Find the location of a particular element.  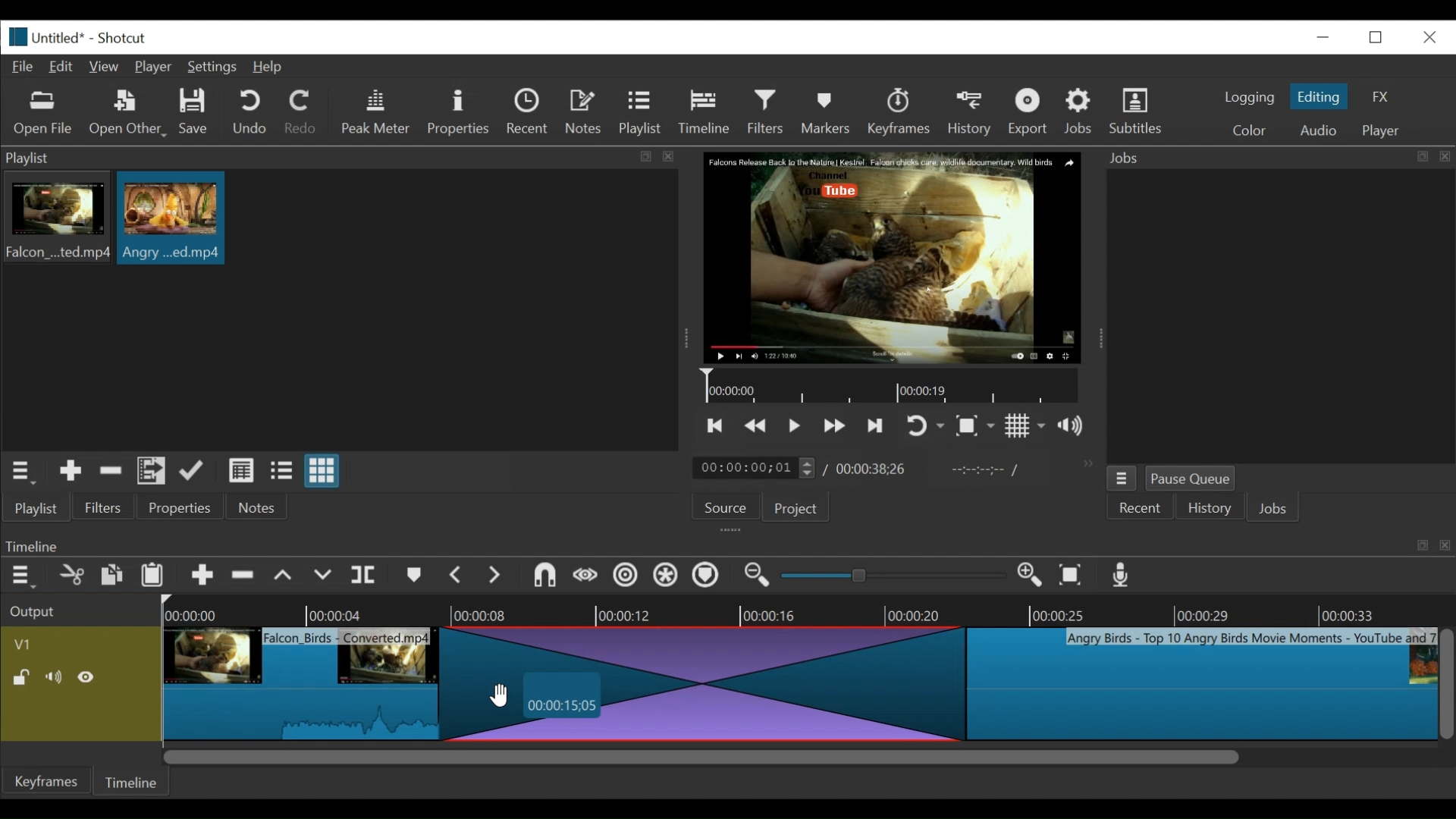

Filters is located at coordinates (104, 508).